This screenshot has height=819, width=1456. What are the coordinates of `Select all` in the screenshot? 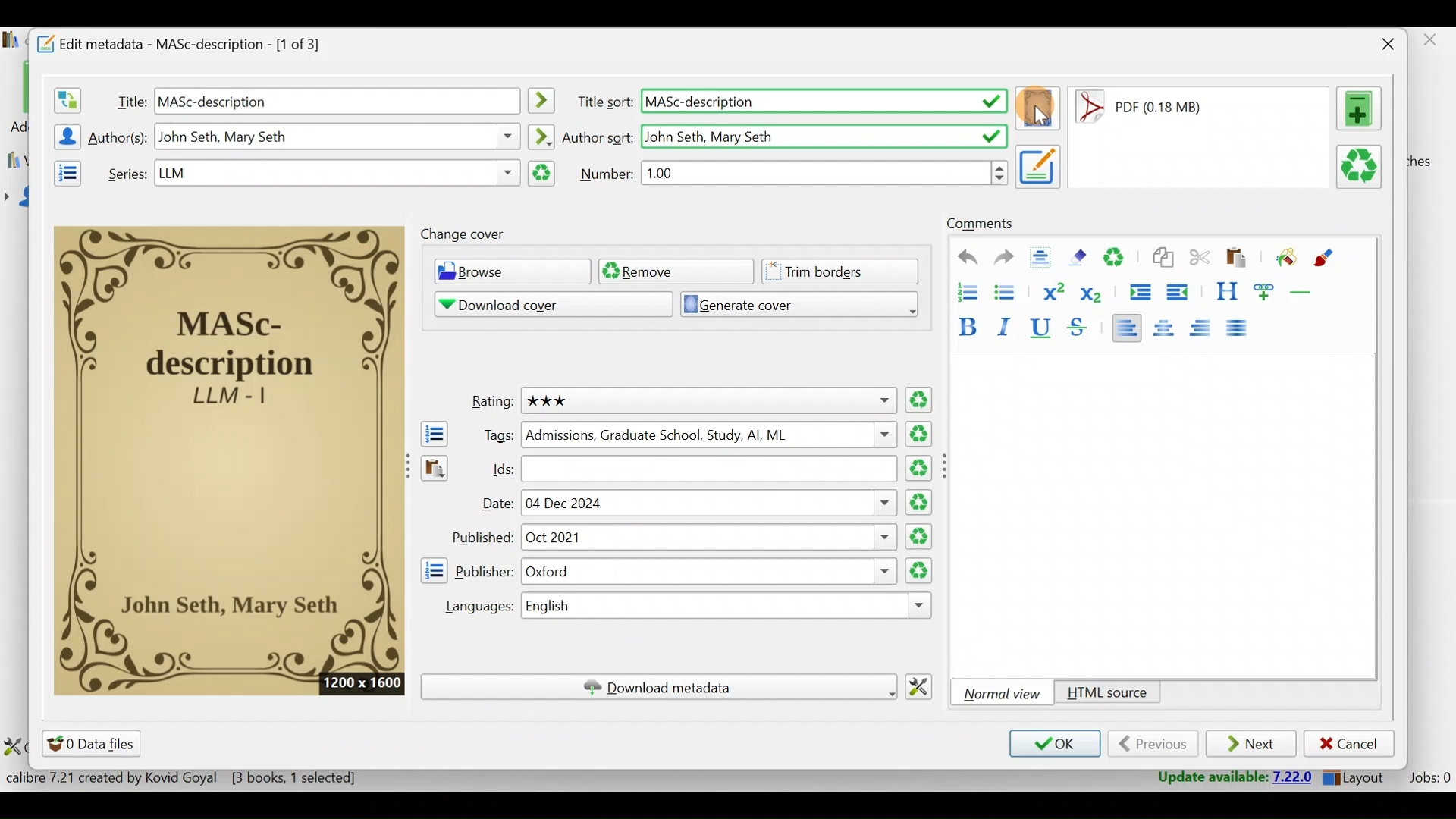 It's located at (1044, 259).